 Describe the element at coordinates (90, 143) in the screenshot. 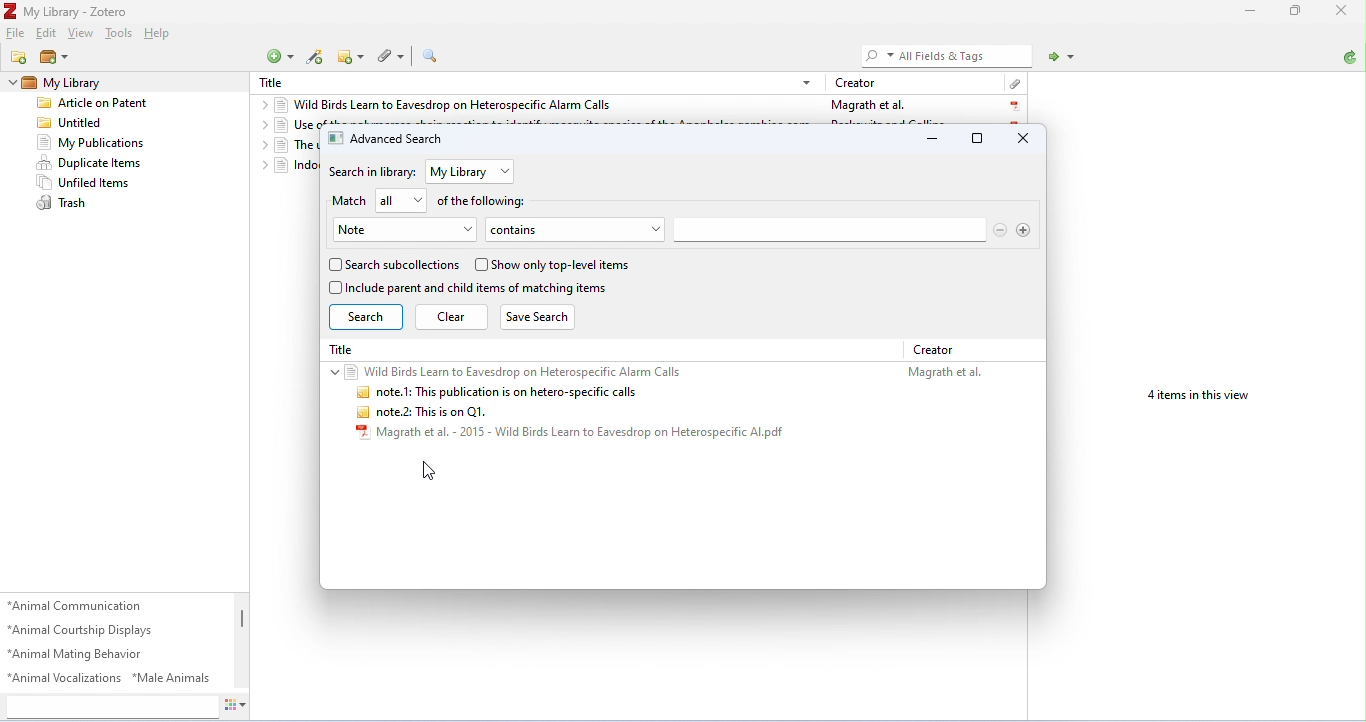

I see `my publications` at that location.